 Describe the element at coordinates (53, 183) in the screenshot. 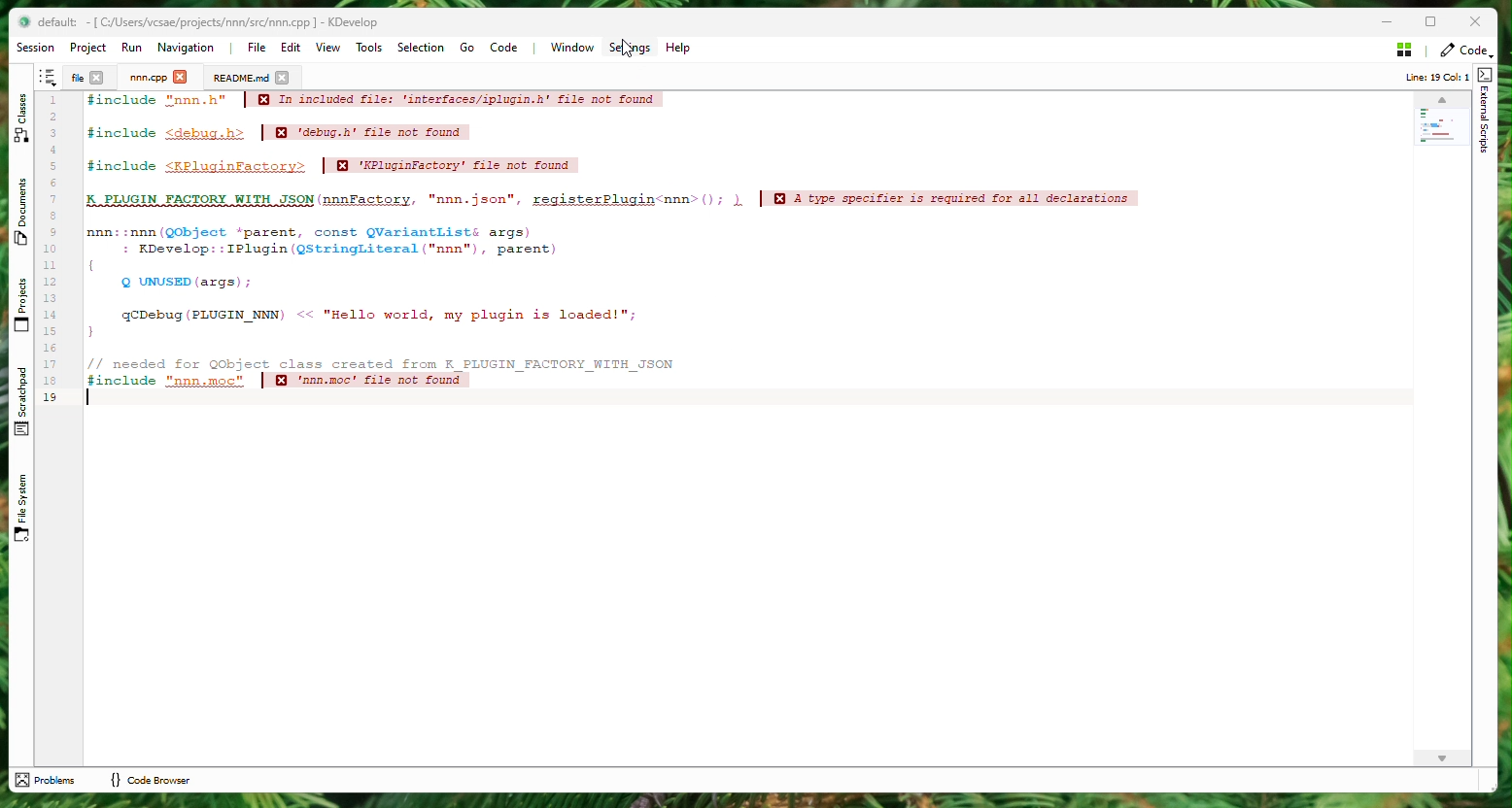

I see `6` at that location.